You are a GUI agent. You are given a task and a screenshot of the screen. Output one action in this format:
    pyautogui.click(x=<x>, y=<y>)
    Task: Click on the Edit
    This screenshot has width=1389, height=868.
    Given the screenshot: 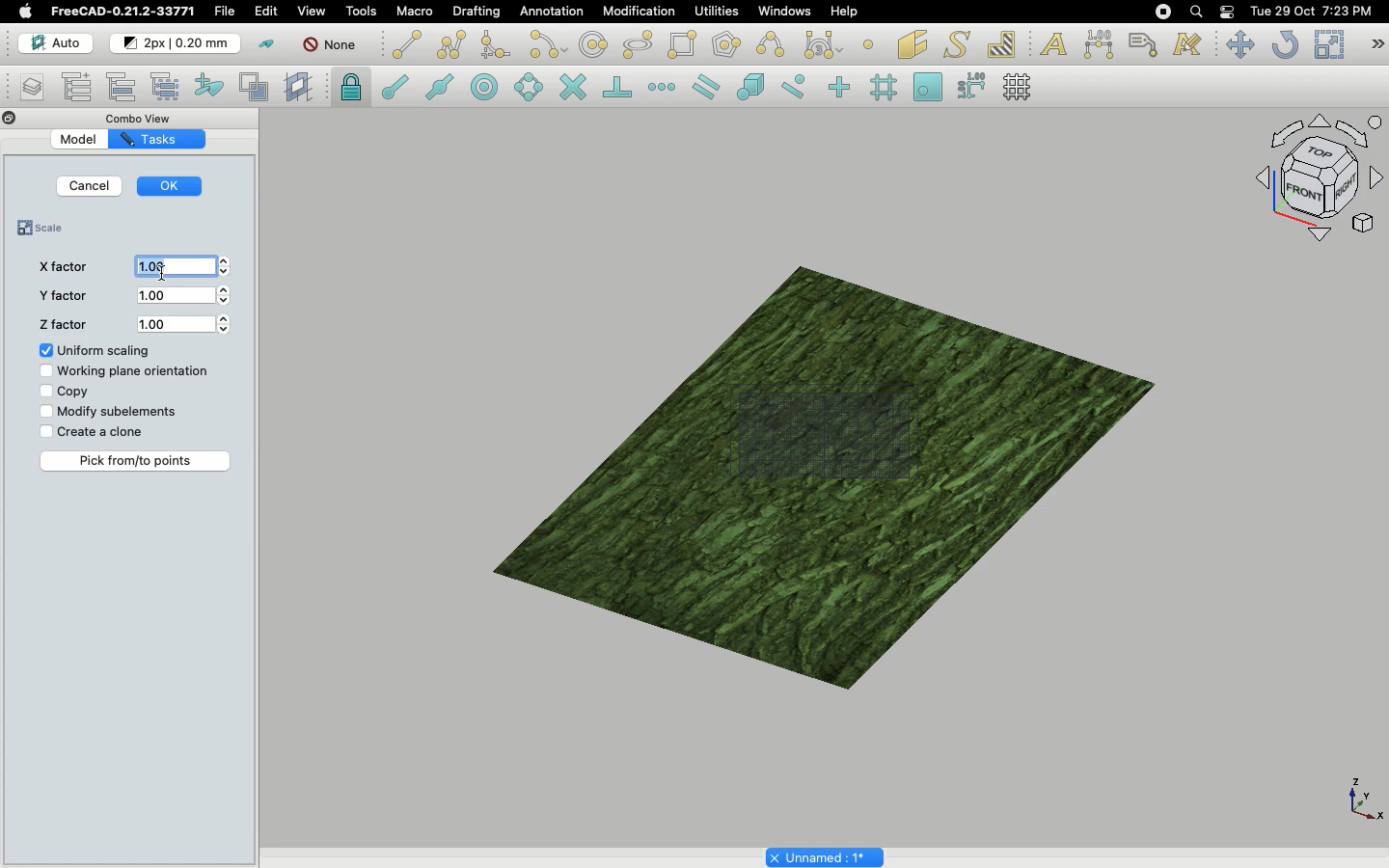 What is the action you would take?
    pyautogui.click(x=267, y=13)
    